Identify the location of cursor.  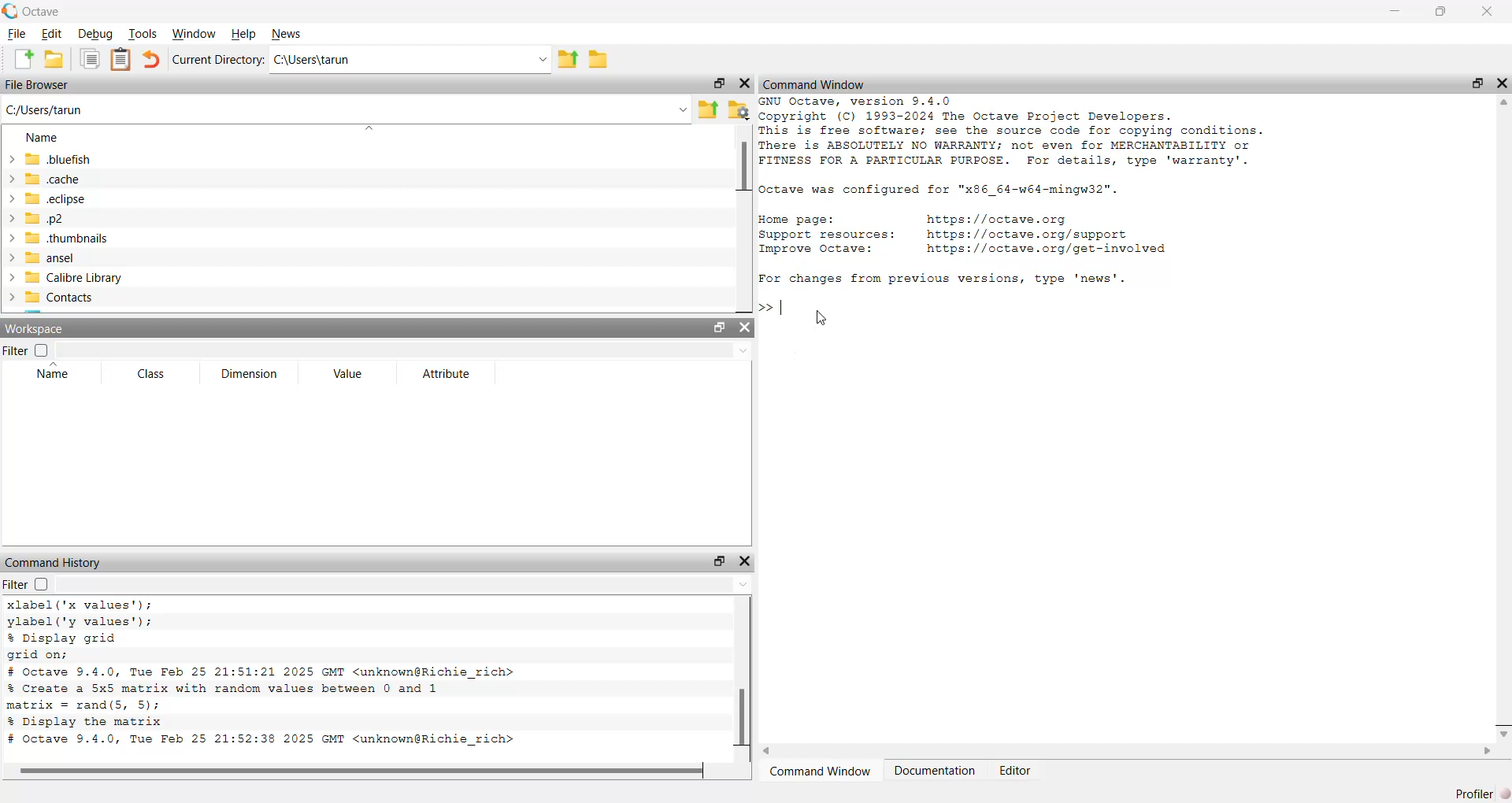
(821, 318).